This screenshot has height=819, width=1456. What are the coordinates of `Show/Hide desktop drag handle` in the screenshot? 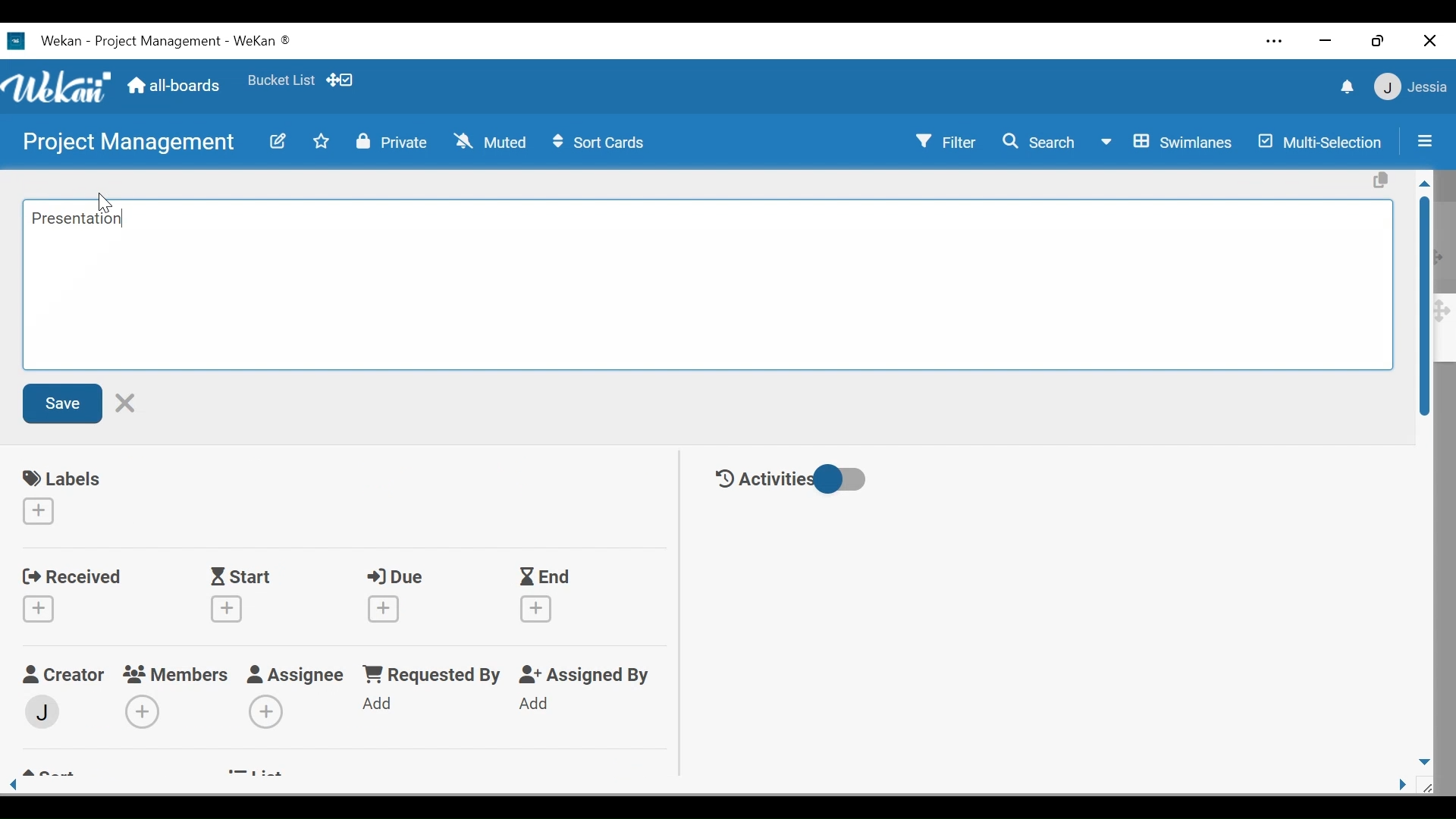 It's located at (339, 80).